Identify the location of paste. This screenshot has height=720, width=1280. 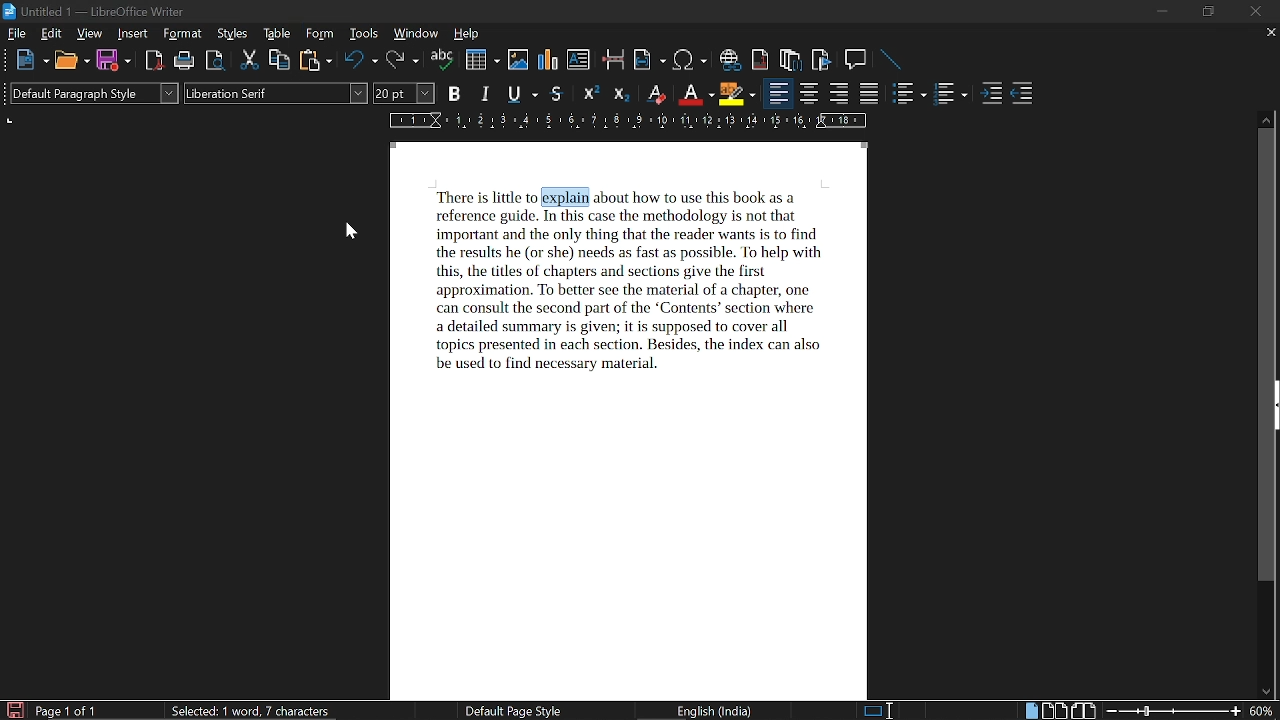
(315, 62).